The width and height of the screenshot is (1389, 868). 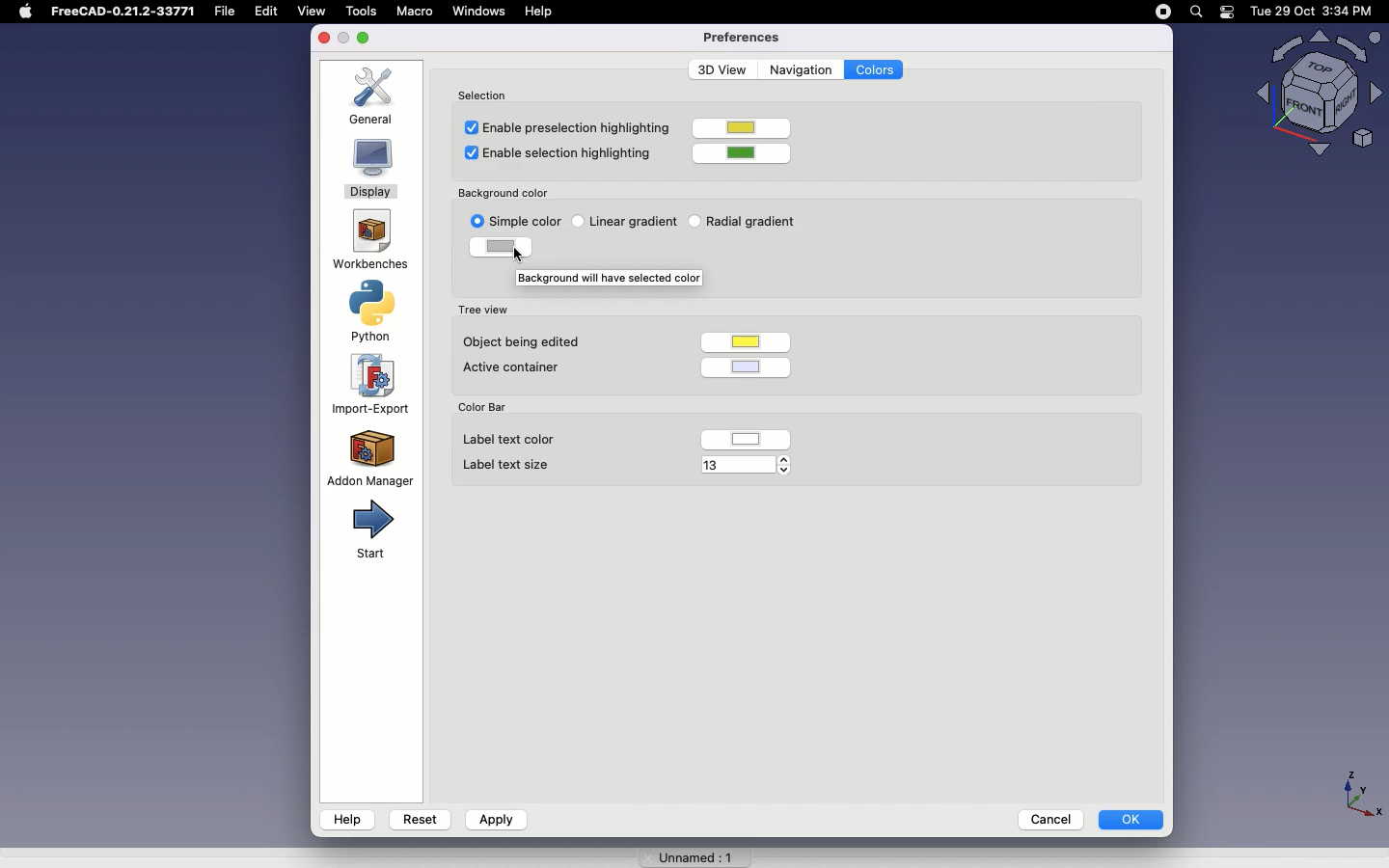 What do you see at coordinates (343, 40) in the screenshot?
I see `minimise` at bounding box center [343, 40].